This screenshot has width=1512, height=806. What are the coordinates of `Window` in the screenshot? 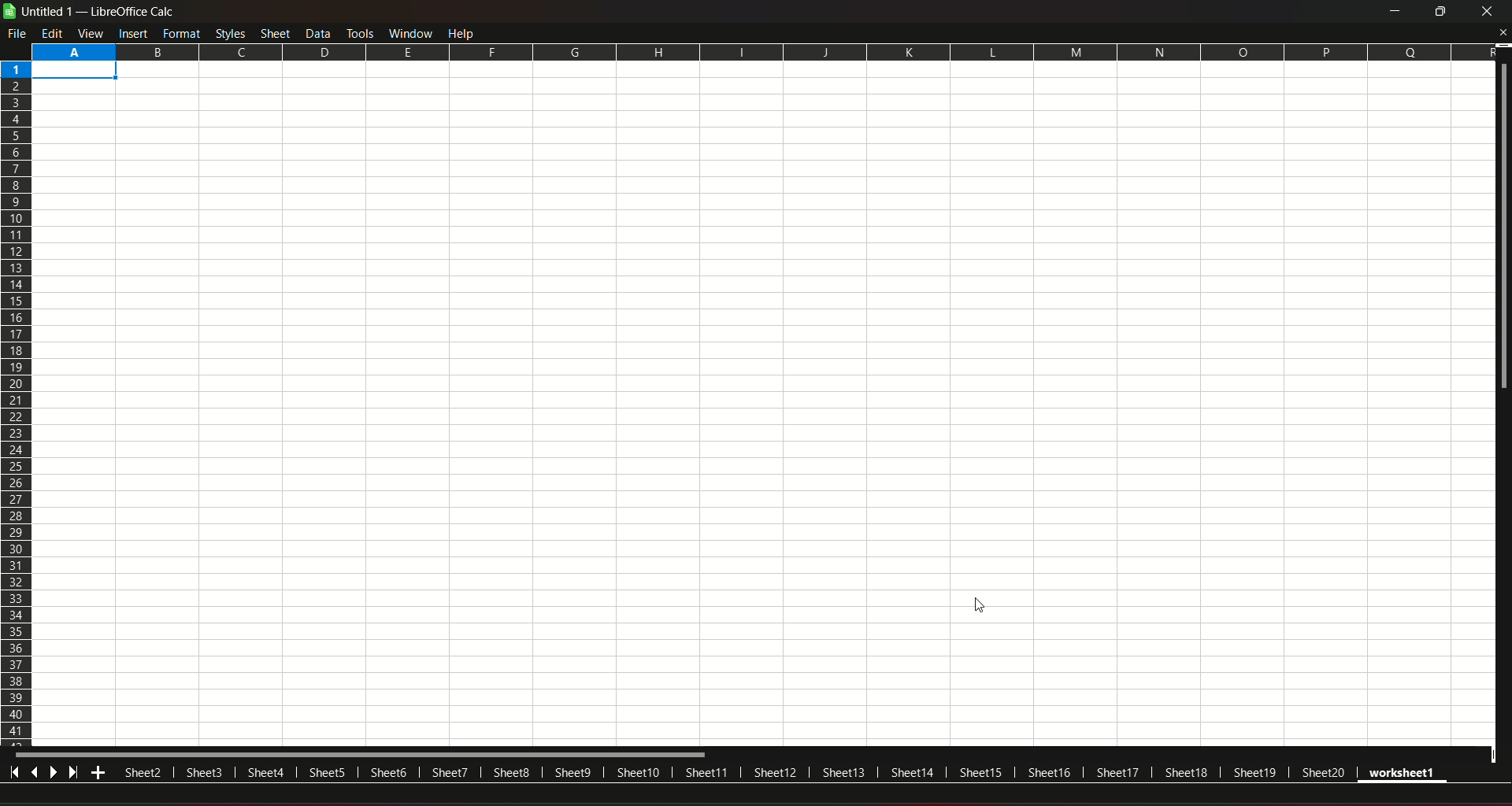 It's located at (409, 32).